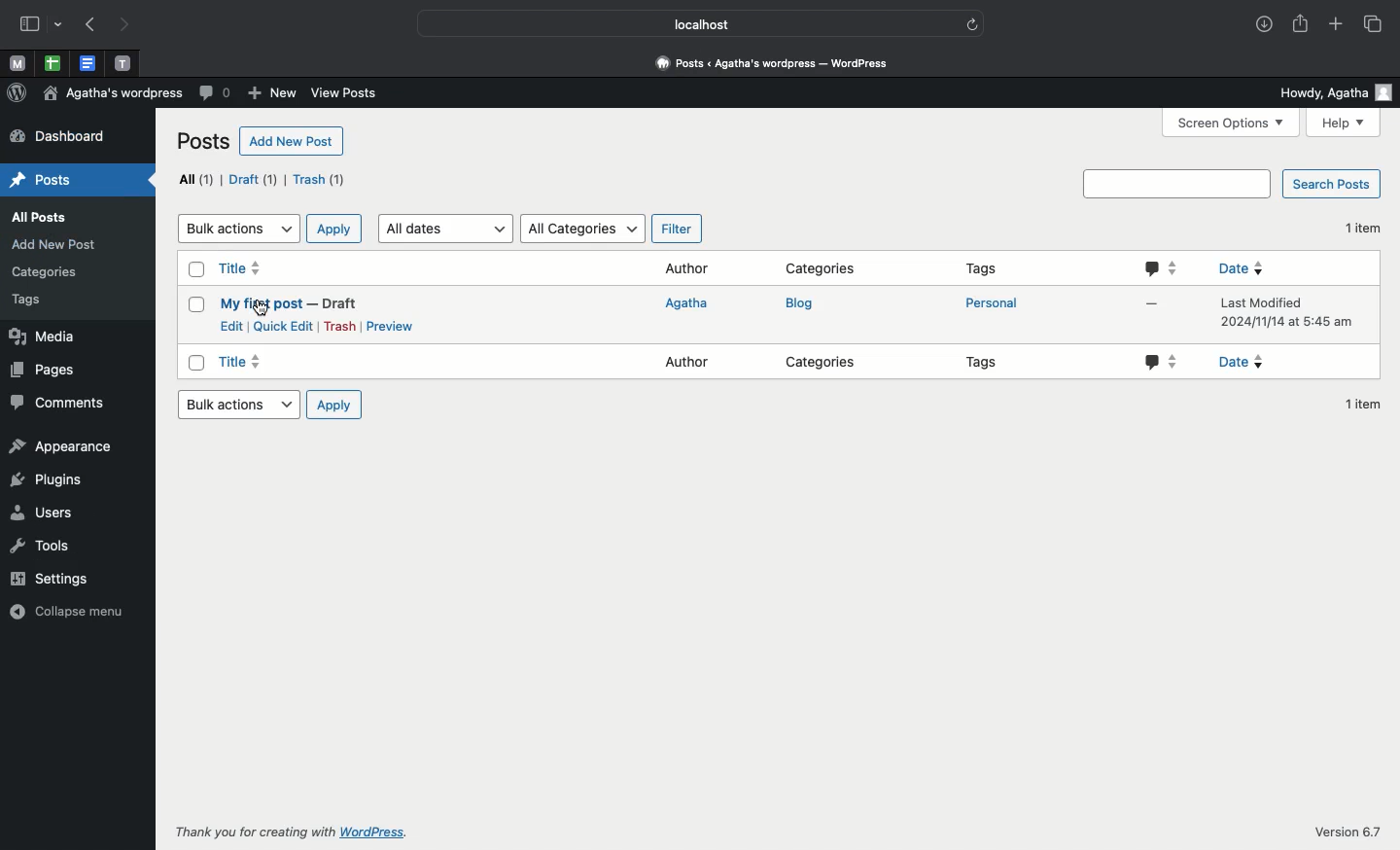  I want to click on , so click(1165, 361).